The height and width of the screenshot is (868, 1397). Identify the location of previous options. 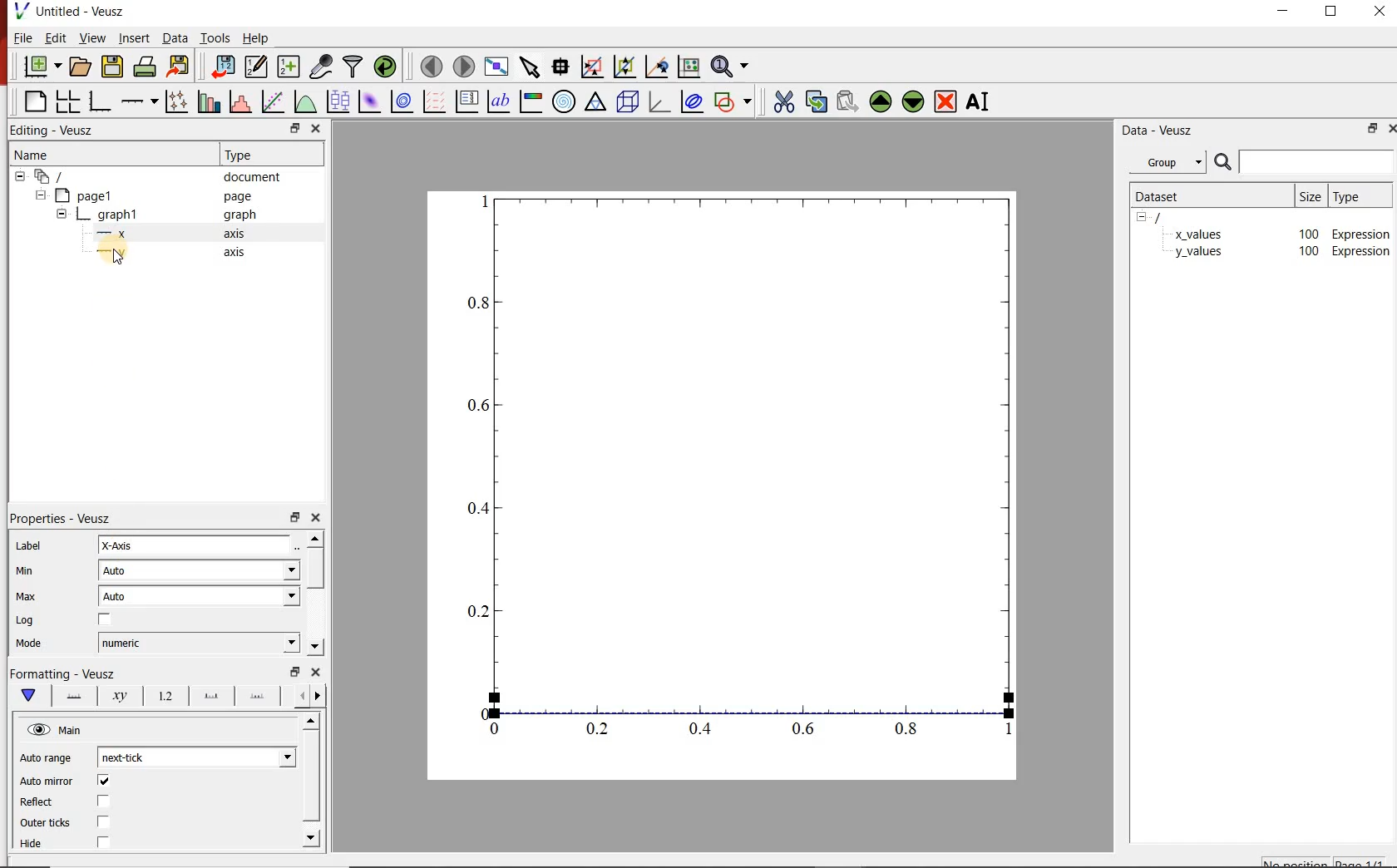
(321, 697).